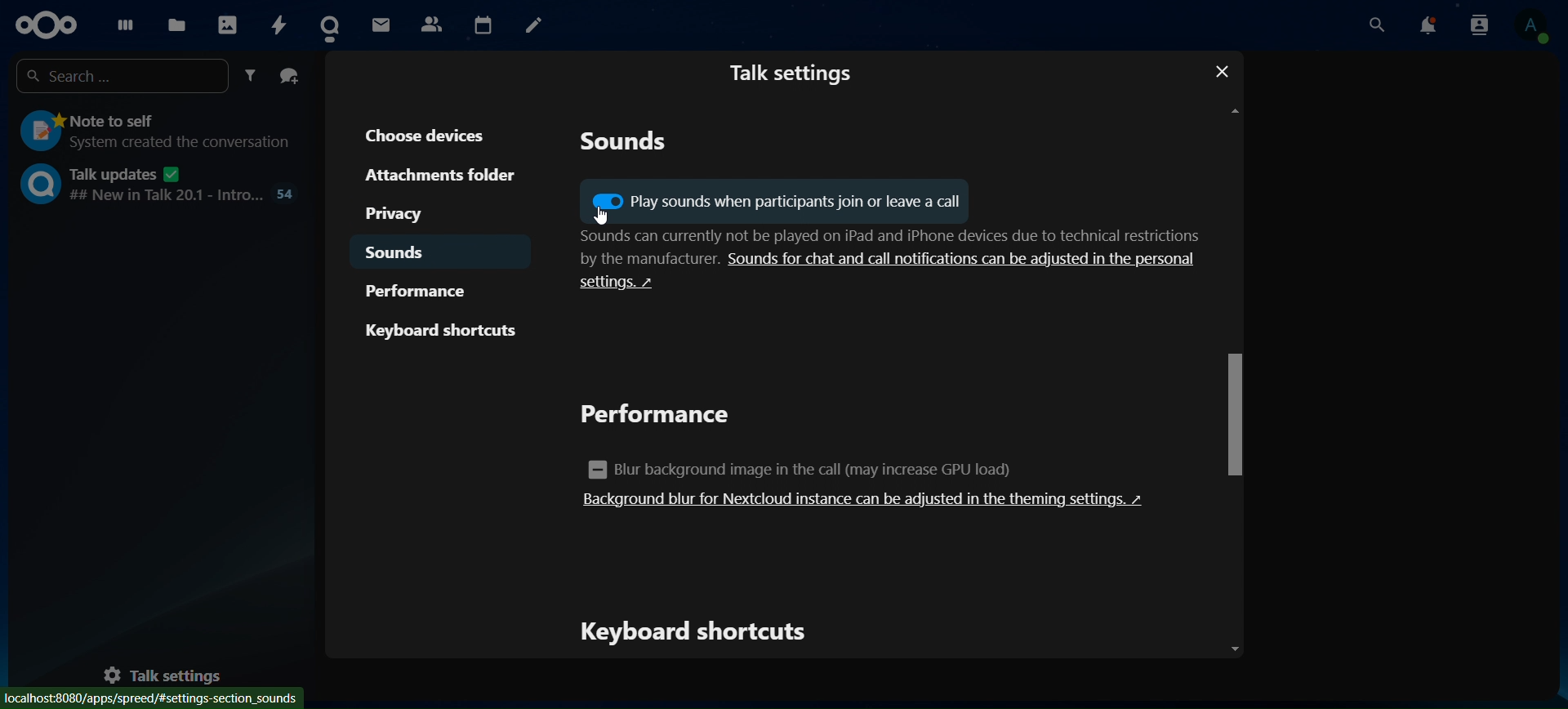 This screenshot has width=1568, height=709. Describe the element at coordinates (482, 23) in the screenshot. I see `calendar` at that location.